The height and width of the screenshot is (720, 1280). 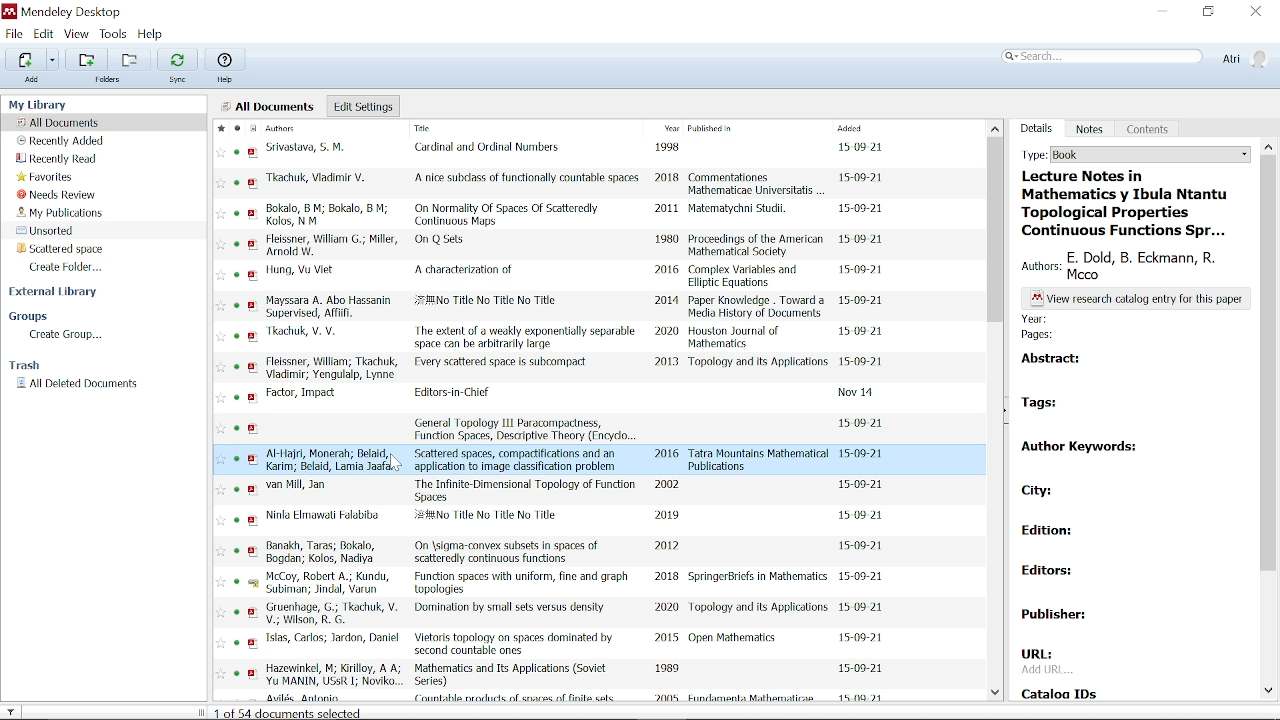 What do you see at coordinates (335, 459) in the screenshot?
I see `authors` at bounding box center [335, 459].